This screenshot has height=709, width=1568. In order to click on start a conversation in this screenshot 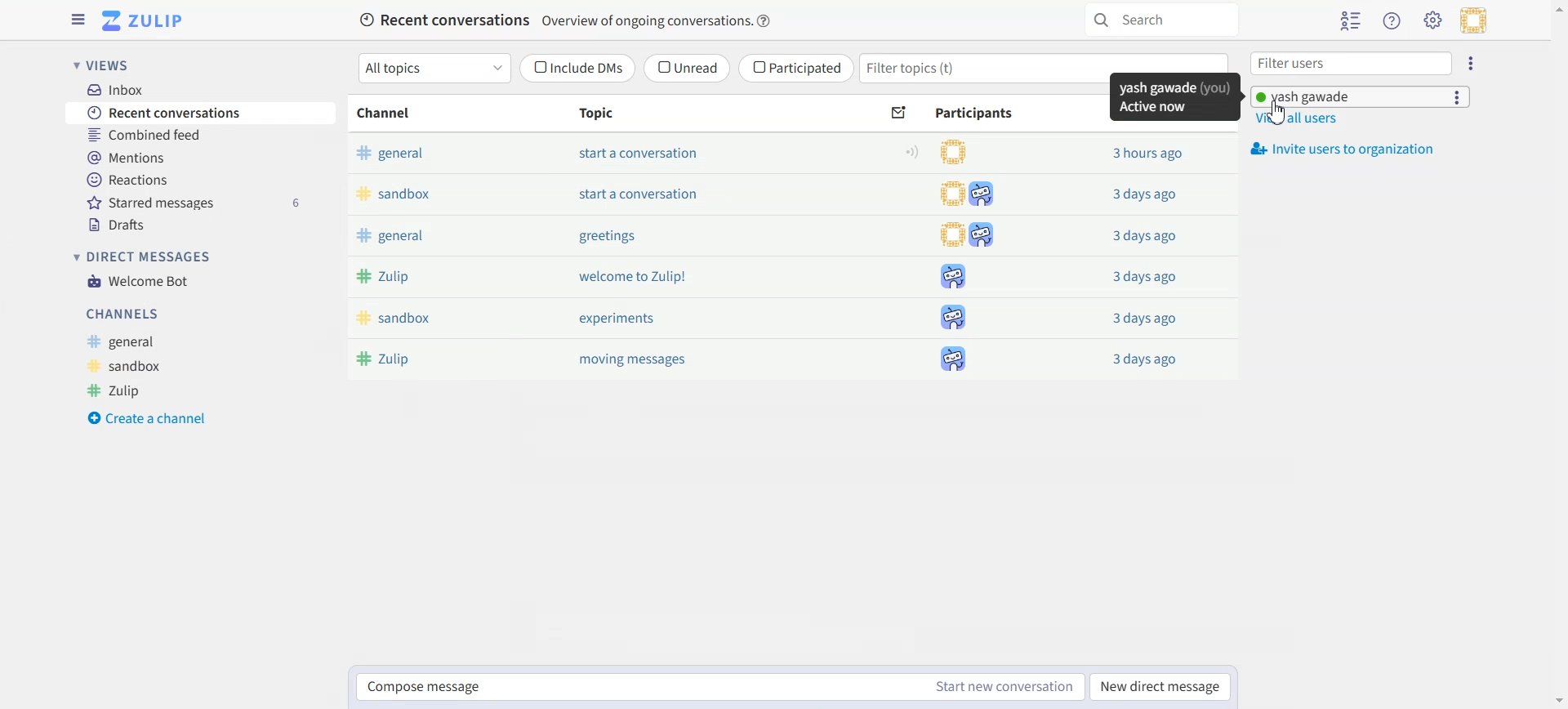, I will do `click(657, 200)`.